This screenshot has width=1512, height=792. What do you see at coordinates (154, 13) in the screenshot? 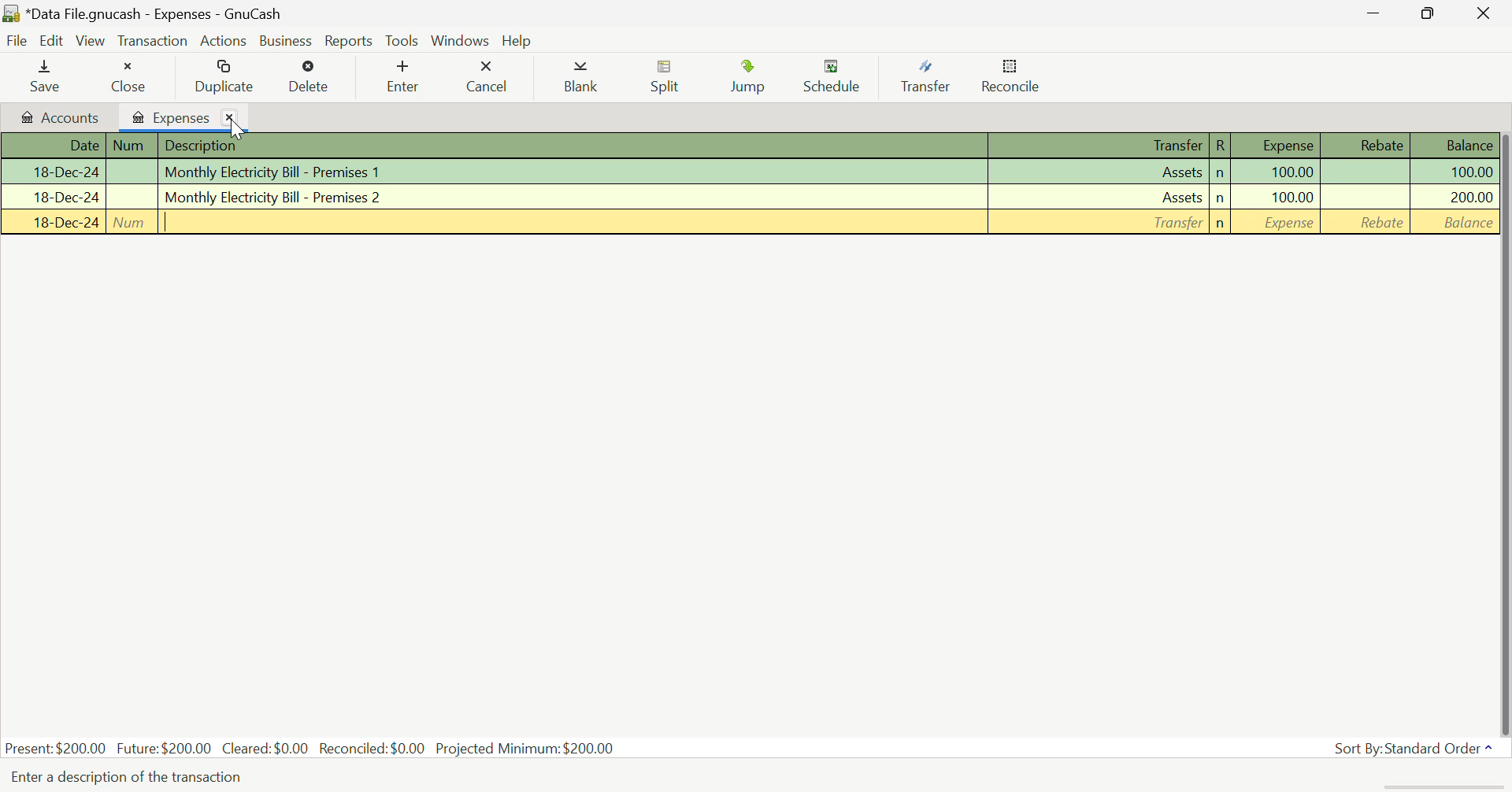
I see `*Data File.gnucash - Expenses - GnuCash` at bounding box center [154, 13].